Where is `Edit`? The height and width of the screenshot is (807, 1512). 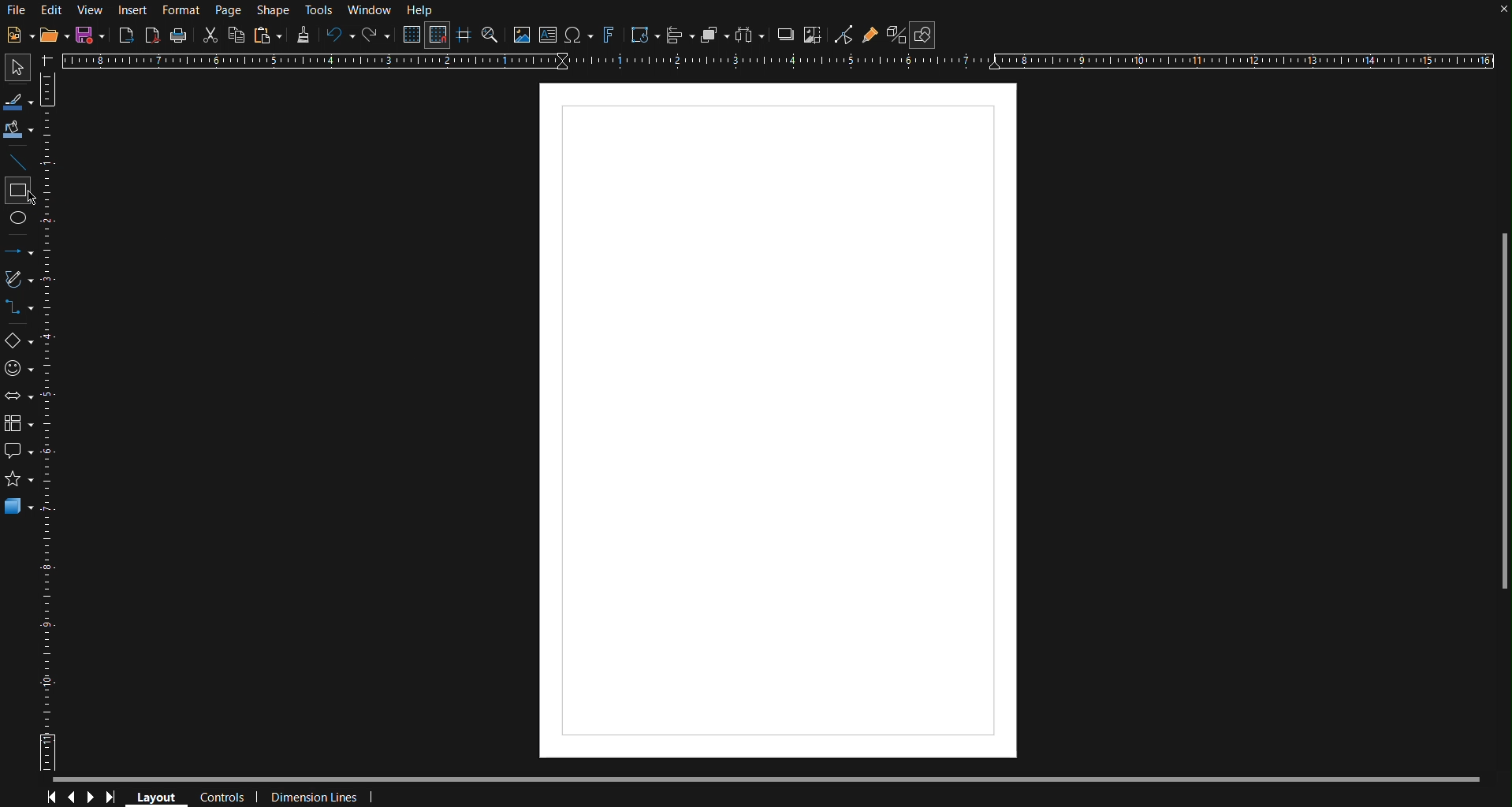
Edit is located at coordinates (51, 11).